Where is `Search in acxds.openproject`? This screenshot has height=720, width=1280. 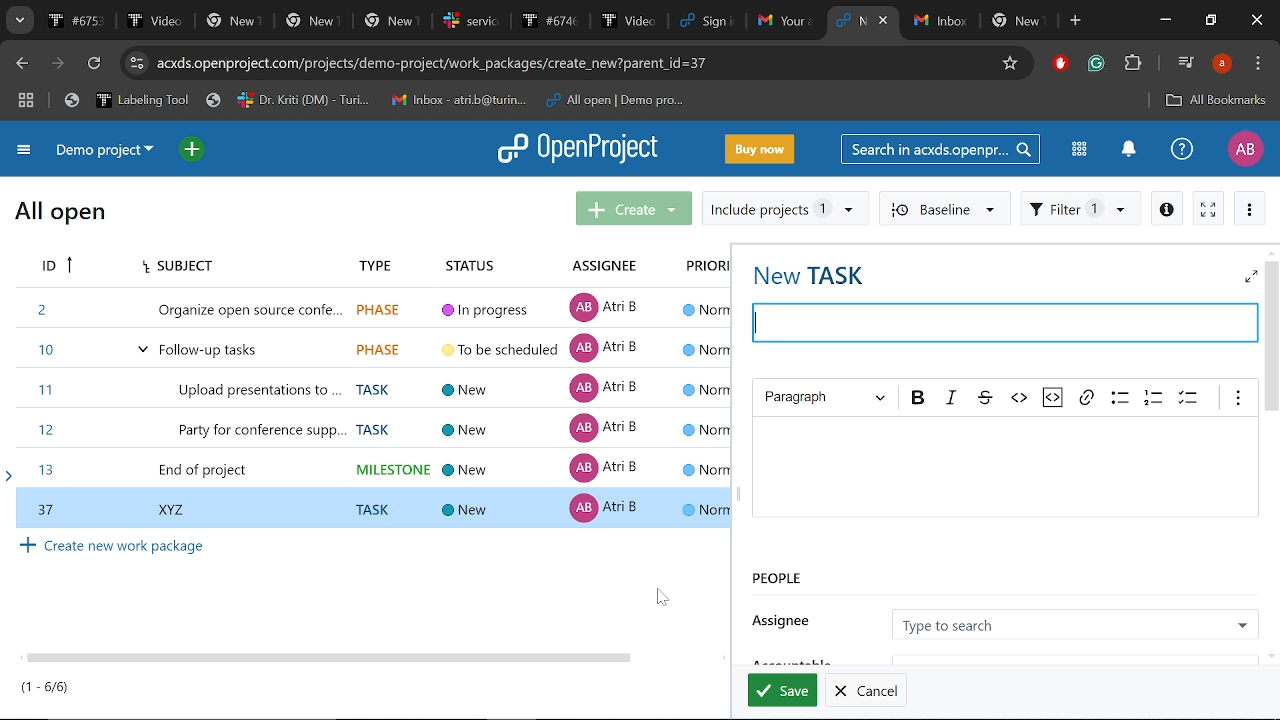 Search in acxds.openproject is located at coordinates (938, 148).